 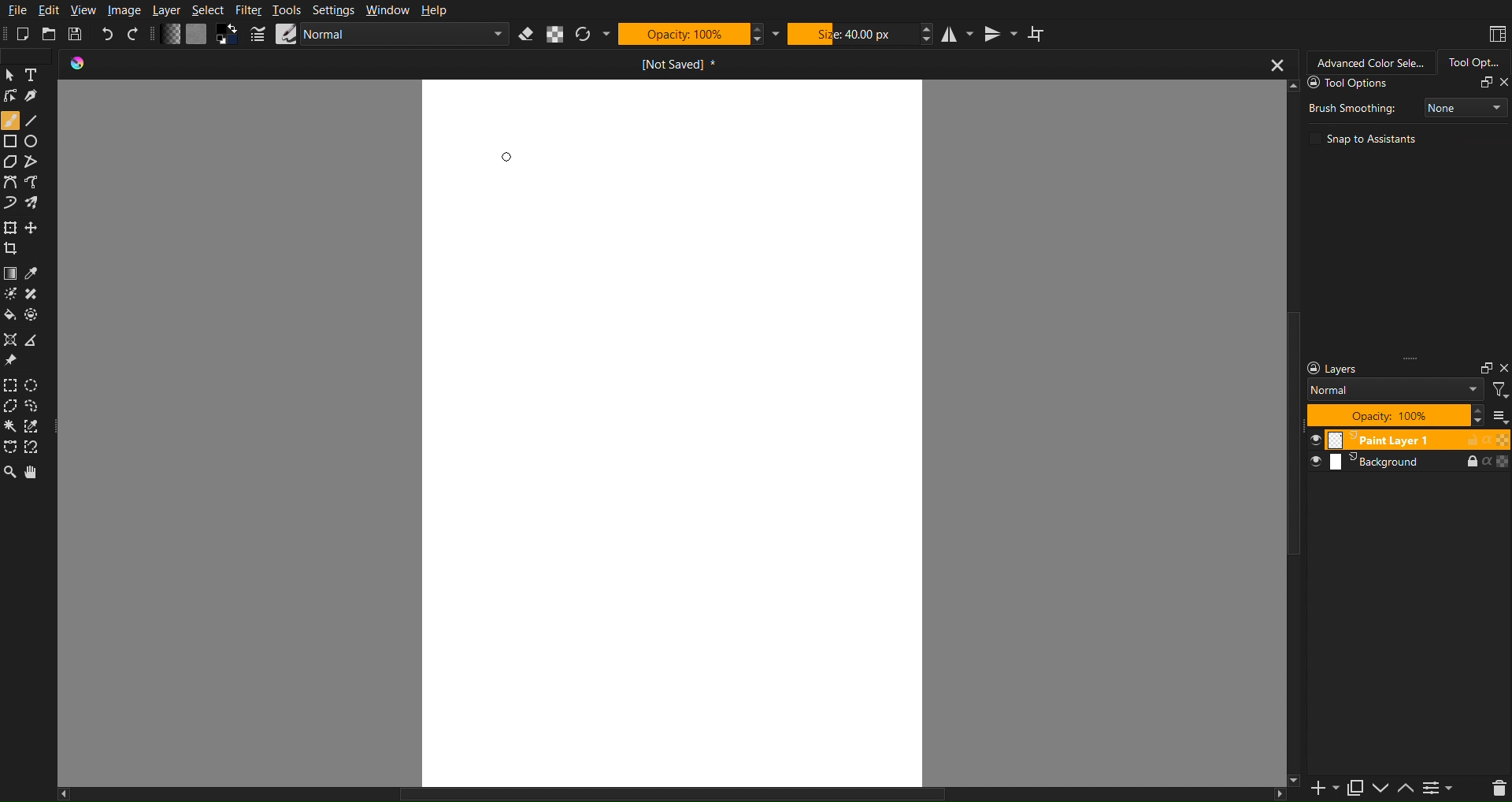 I want to click on Advanced Color Selector, so click(x=1369, y=62).